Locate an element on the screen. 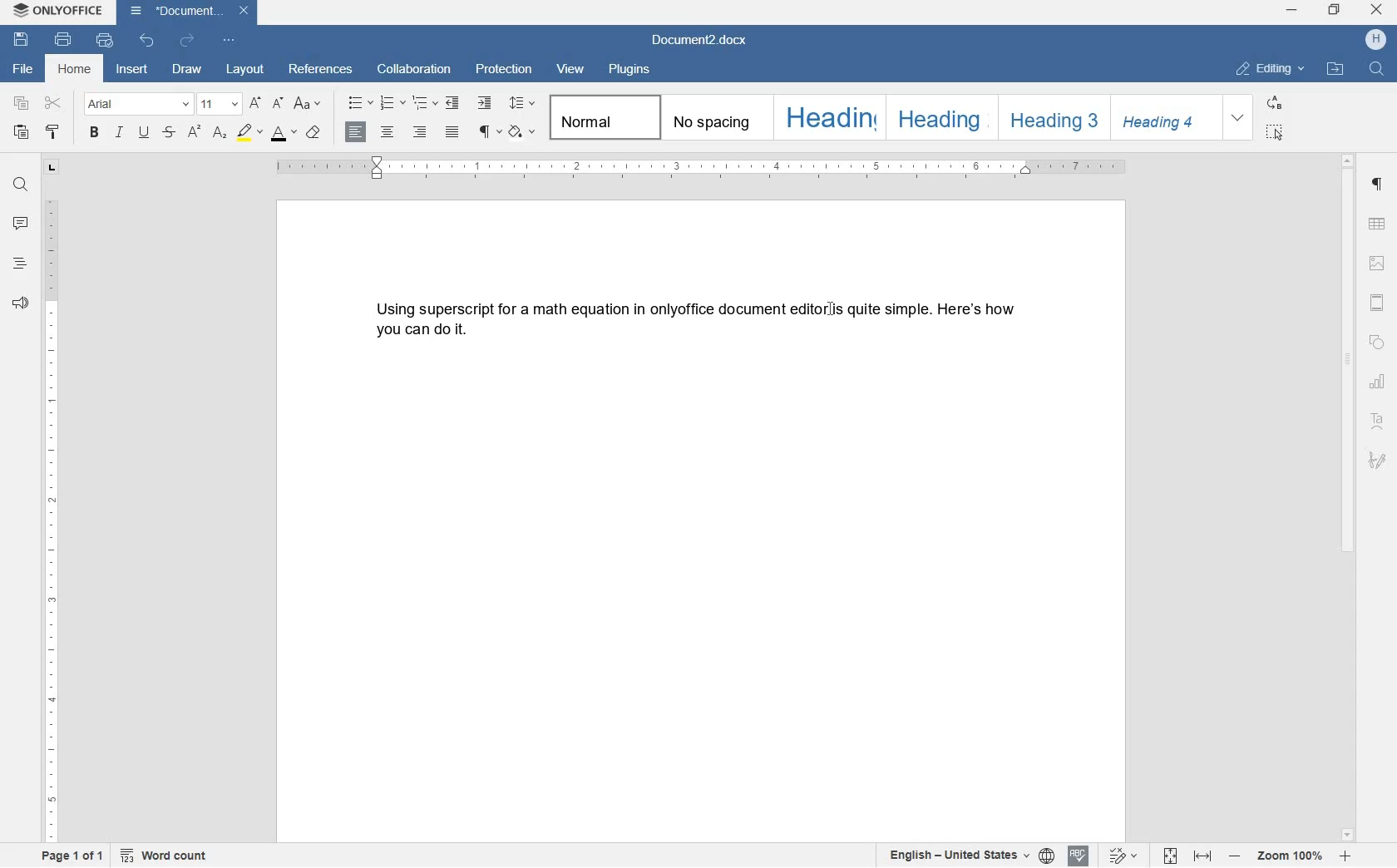  justified is located at coordinates (453, 132).